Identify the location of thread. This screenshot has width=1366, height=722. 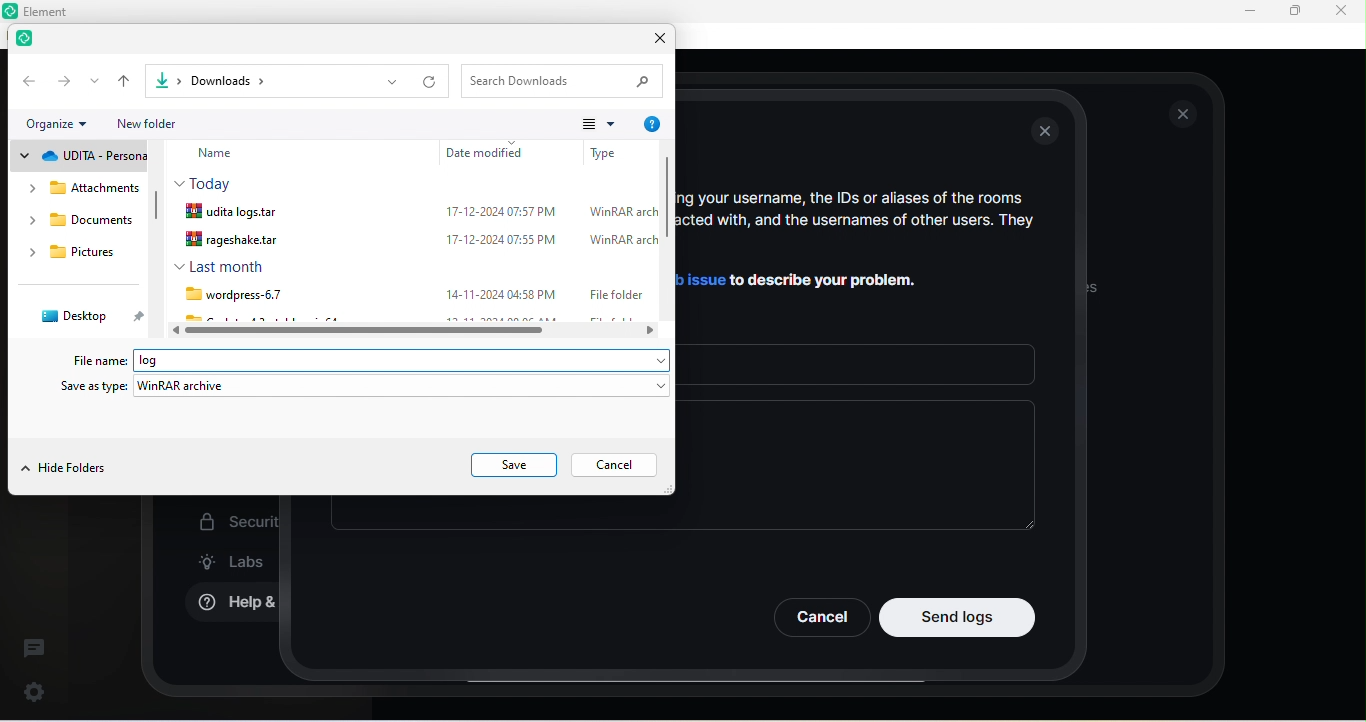
(34, 647).